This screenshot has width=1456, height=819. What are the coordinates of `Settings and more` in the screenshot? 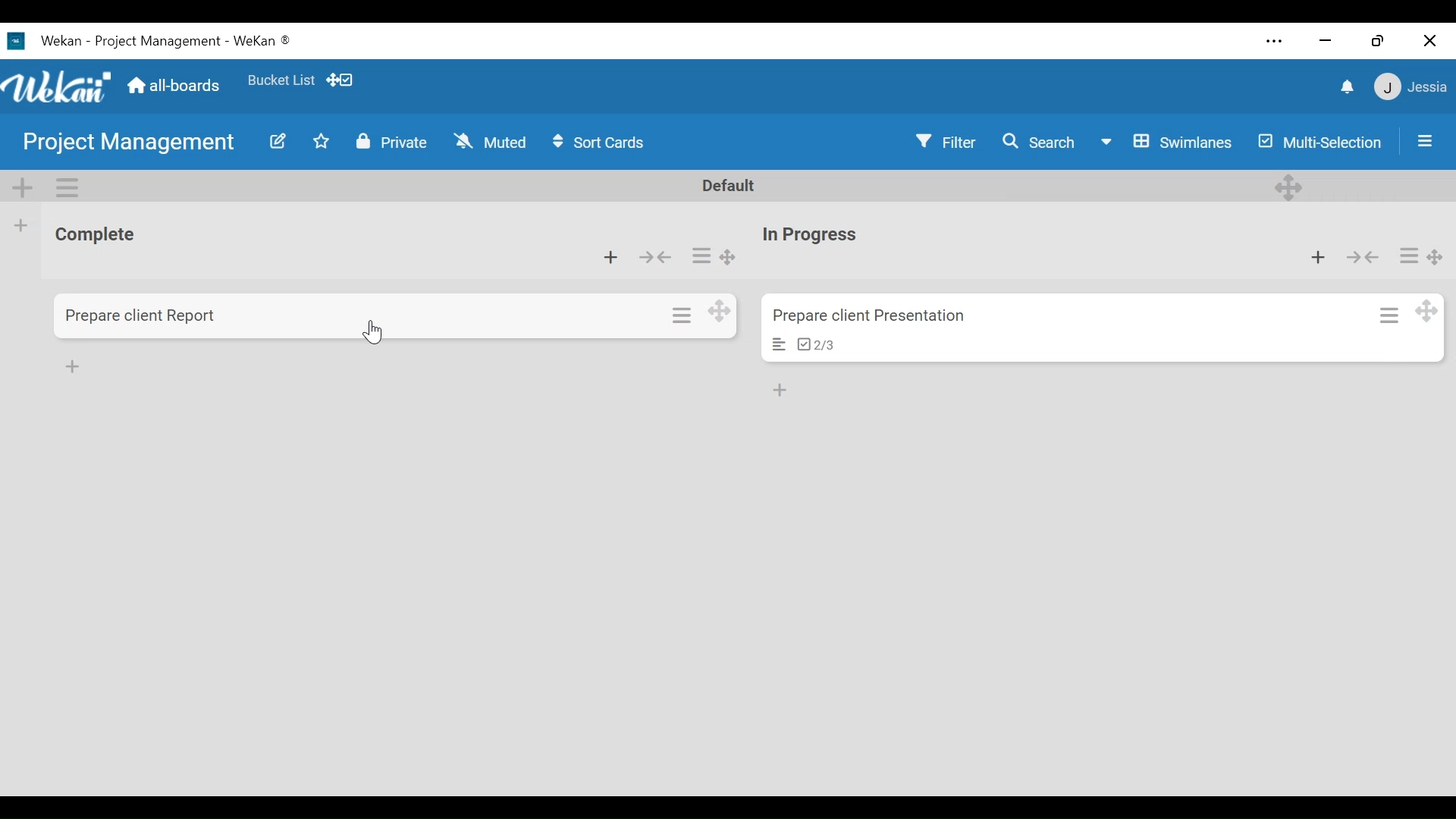 It's located at (1276, 42).